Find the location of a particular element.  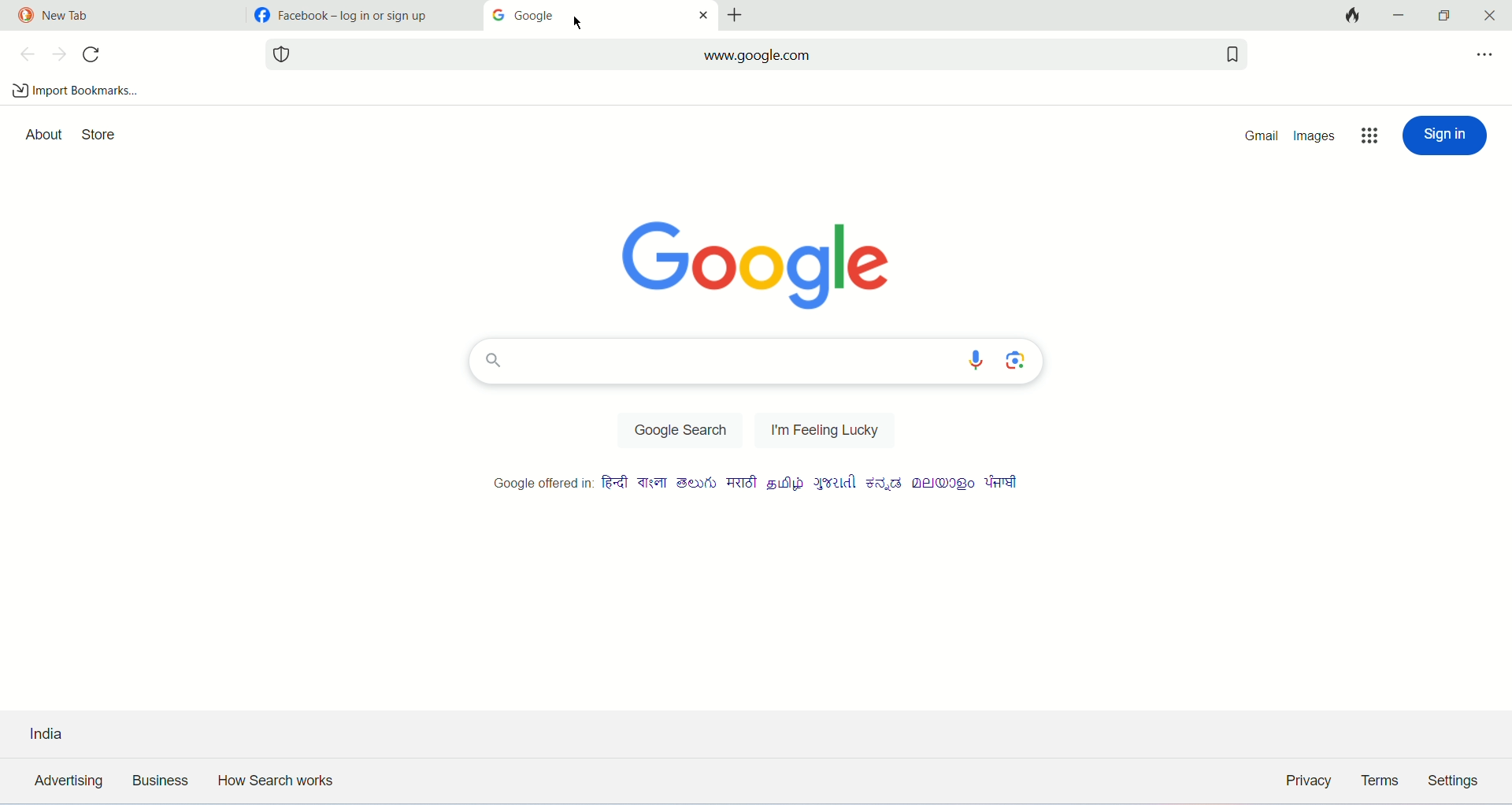

logo is located at coordinates (754, 262).